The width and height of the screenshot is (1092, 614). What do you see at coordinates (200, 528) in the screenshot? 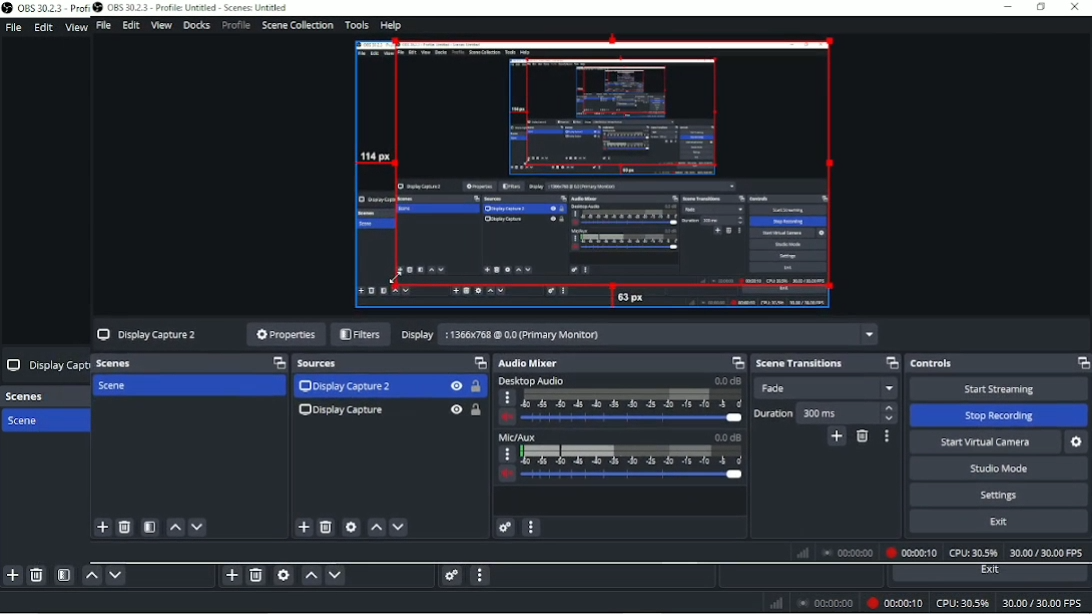
I see `down` at bounding box center [200, 528].